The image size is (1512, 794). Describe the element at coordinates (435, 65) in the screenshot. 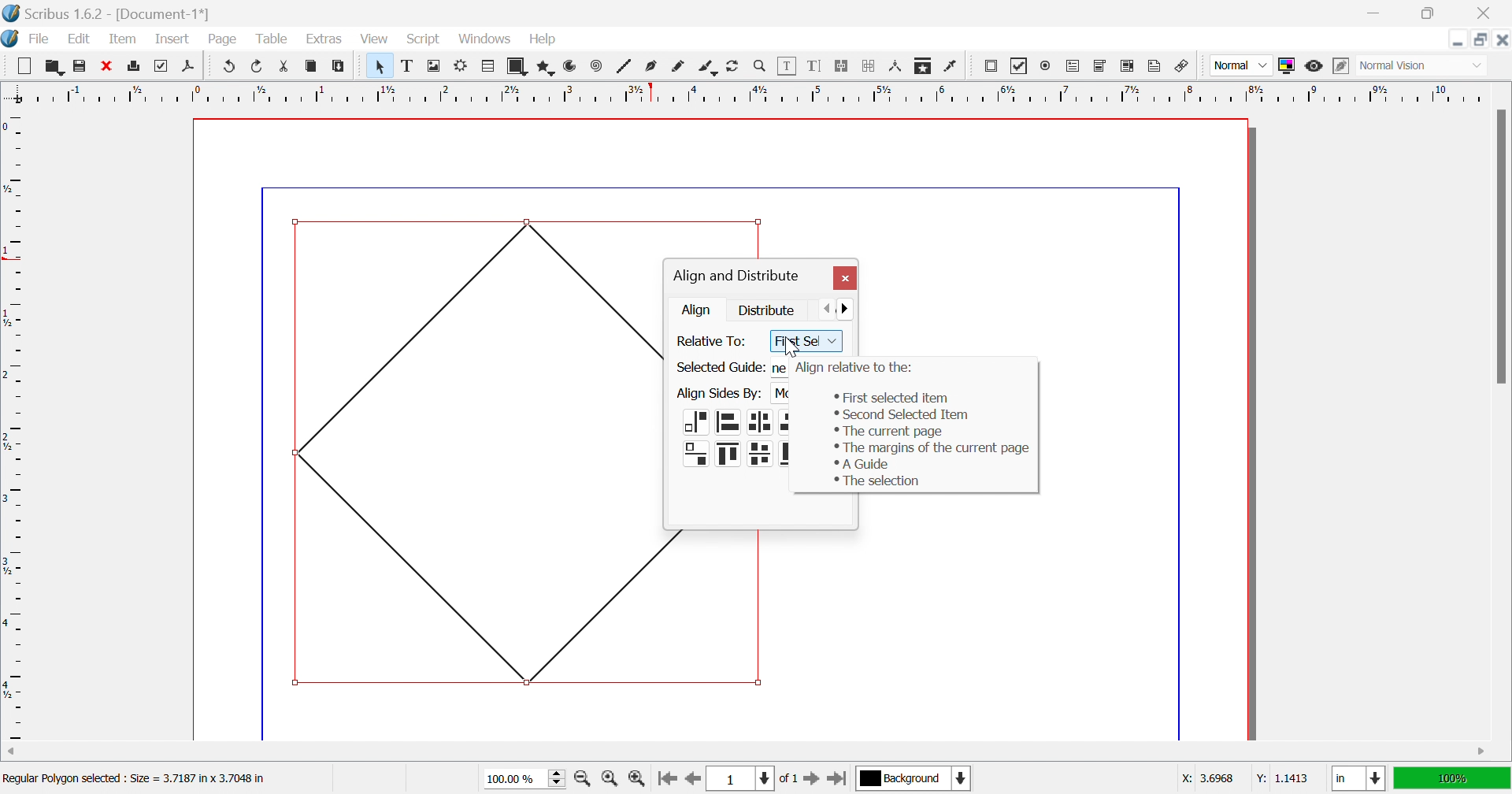

I see `Image frame` at that location.